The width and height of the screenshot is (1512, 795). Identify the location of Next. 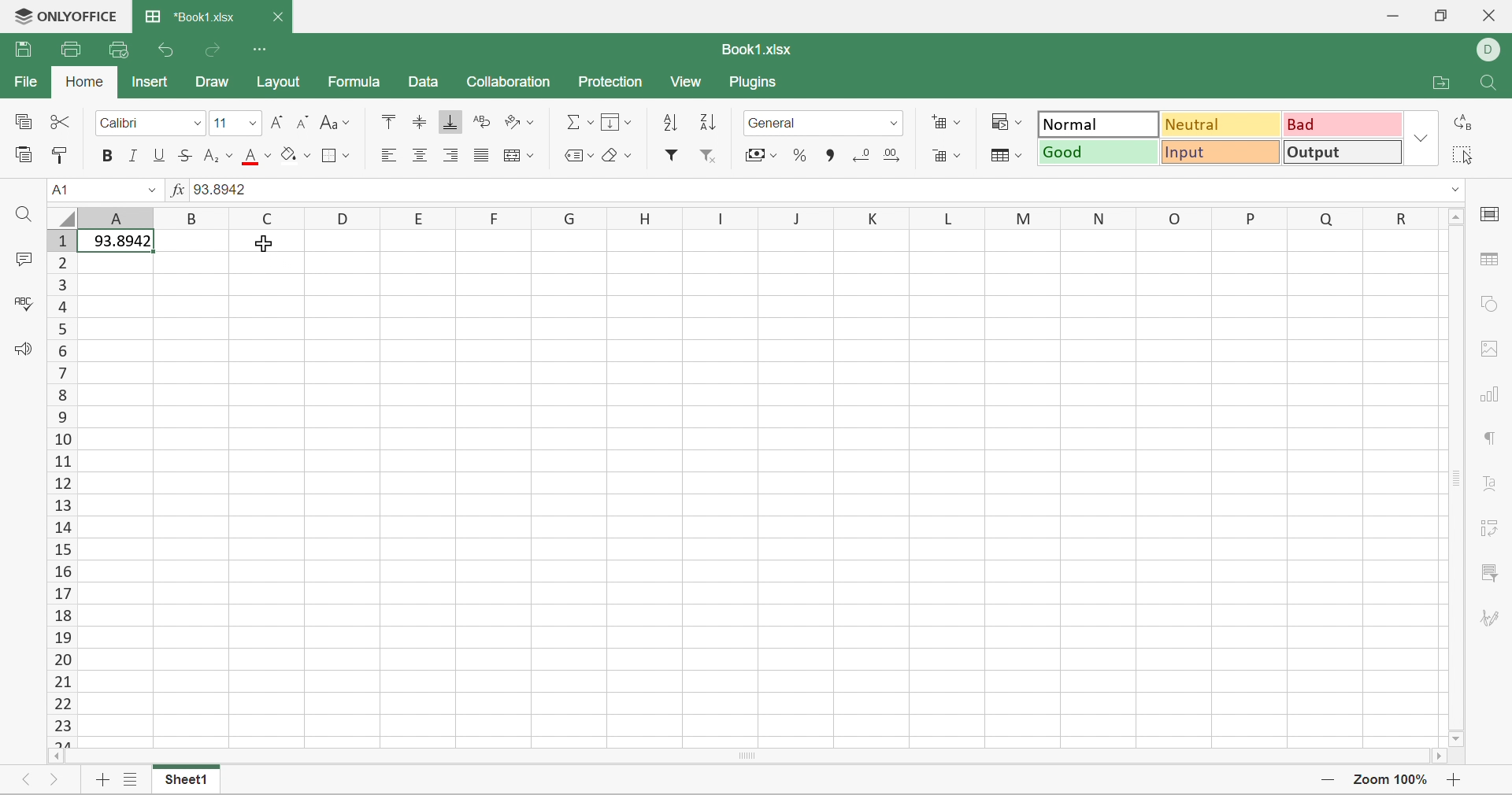
(53, 782).